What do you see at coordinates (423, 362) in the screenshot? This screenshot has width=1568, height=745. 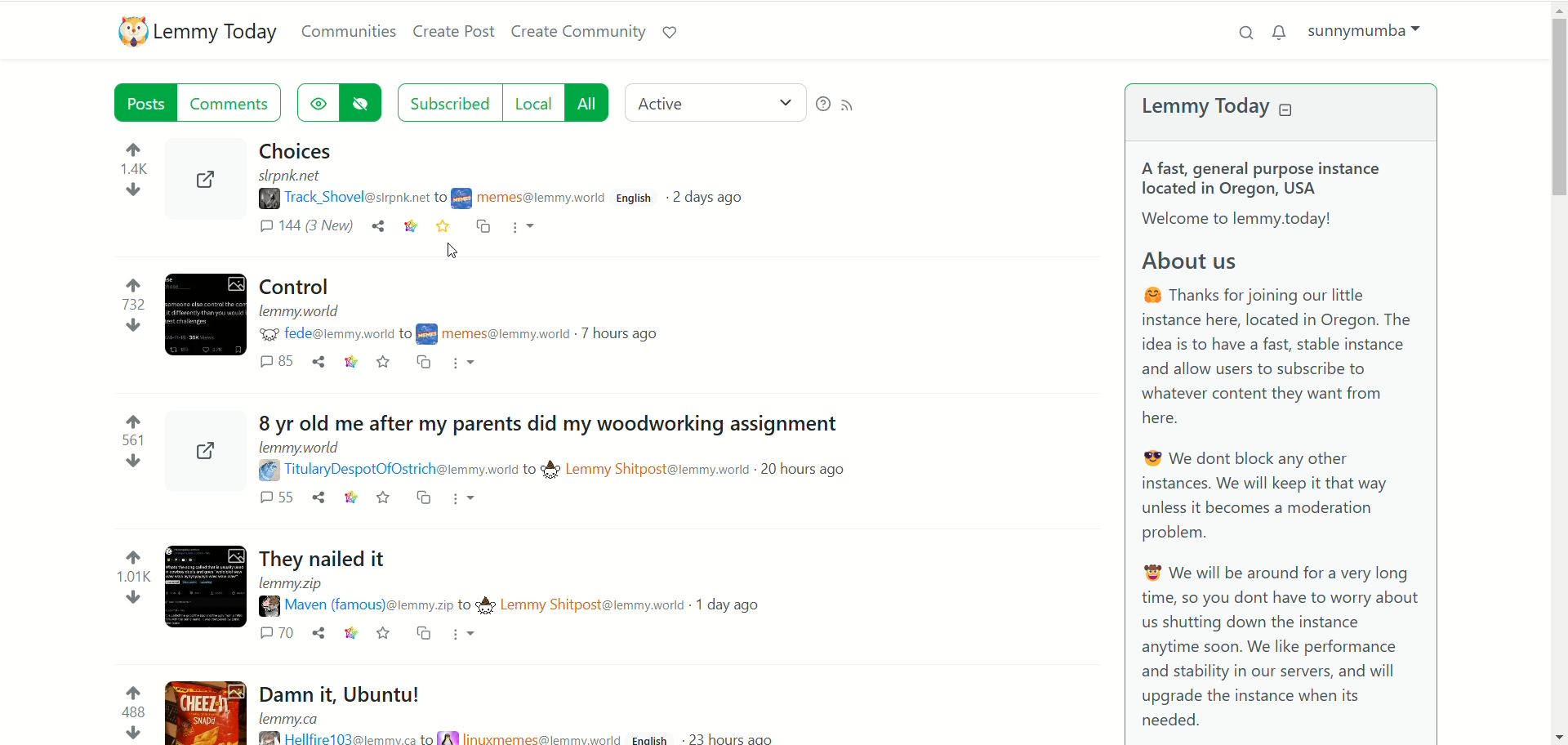 I see `Cross post` at bounding box center [423, 362].